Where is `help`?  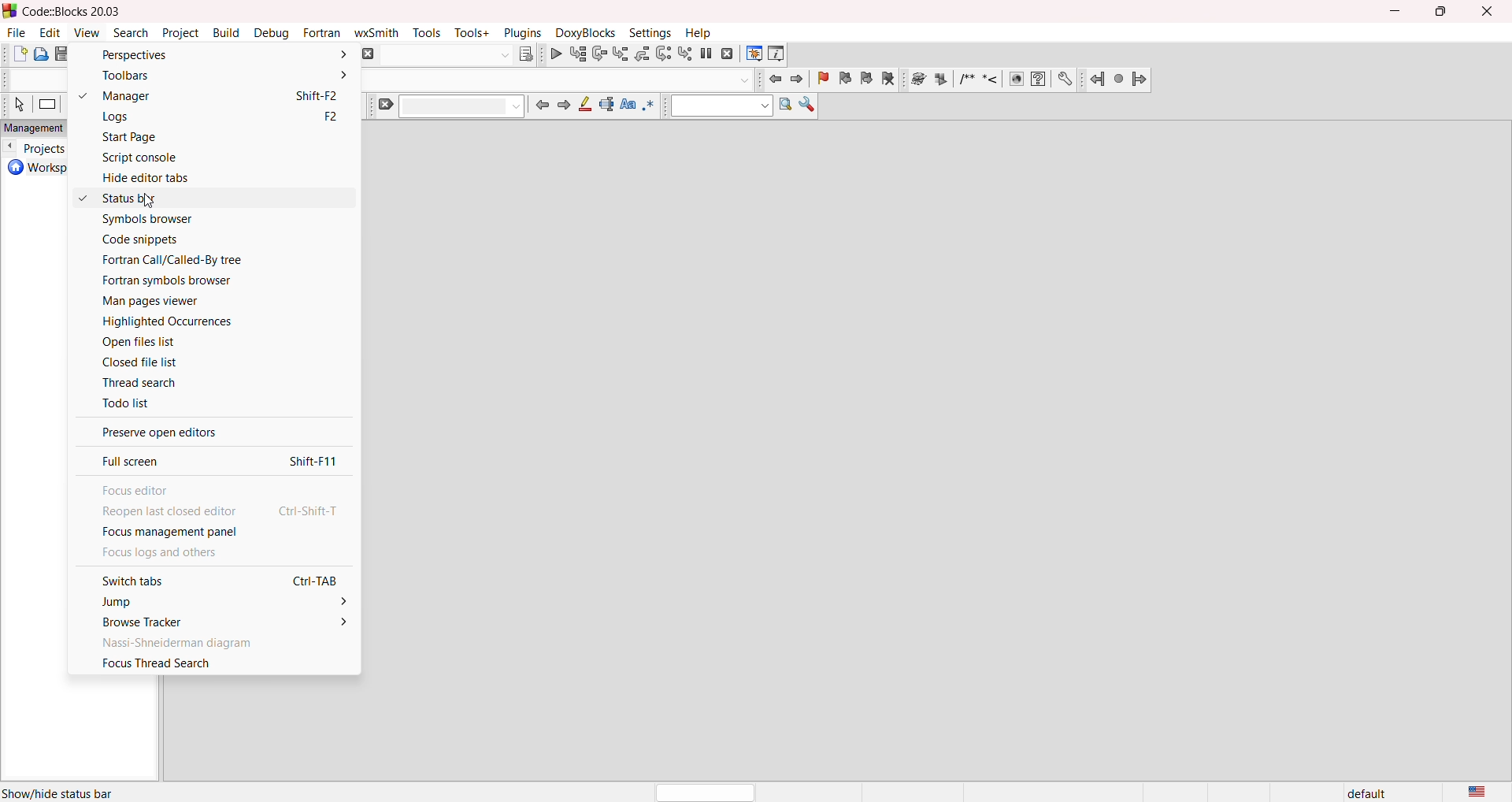 help is located at coordinates (699, 34).